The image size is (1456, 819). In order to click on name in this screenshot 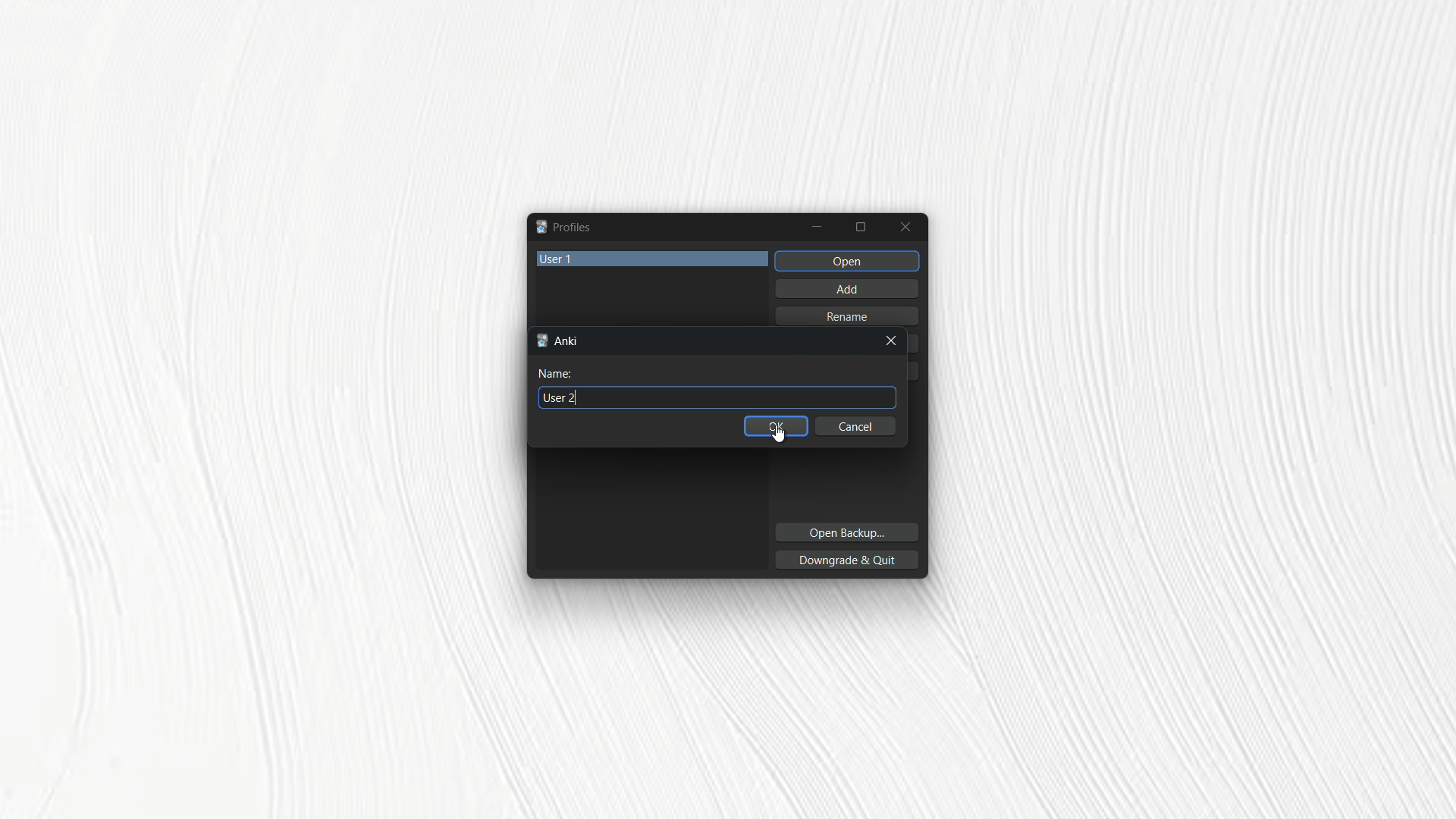, I will do `click(559, 375)`.